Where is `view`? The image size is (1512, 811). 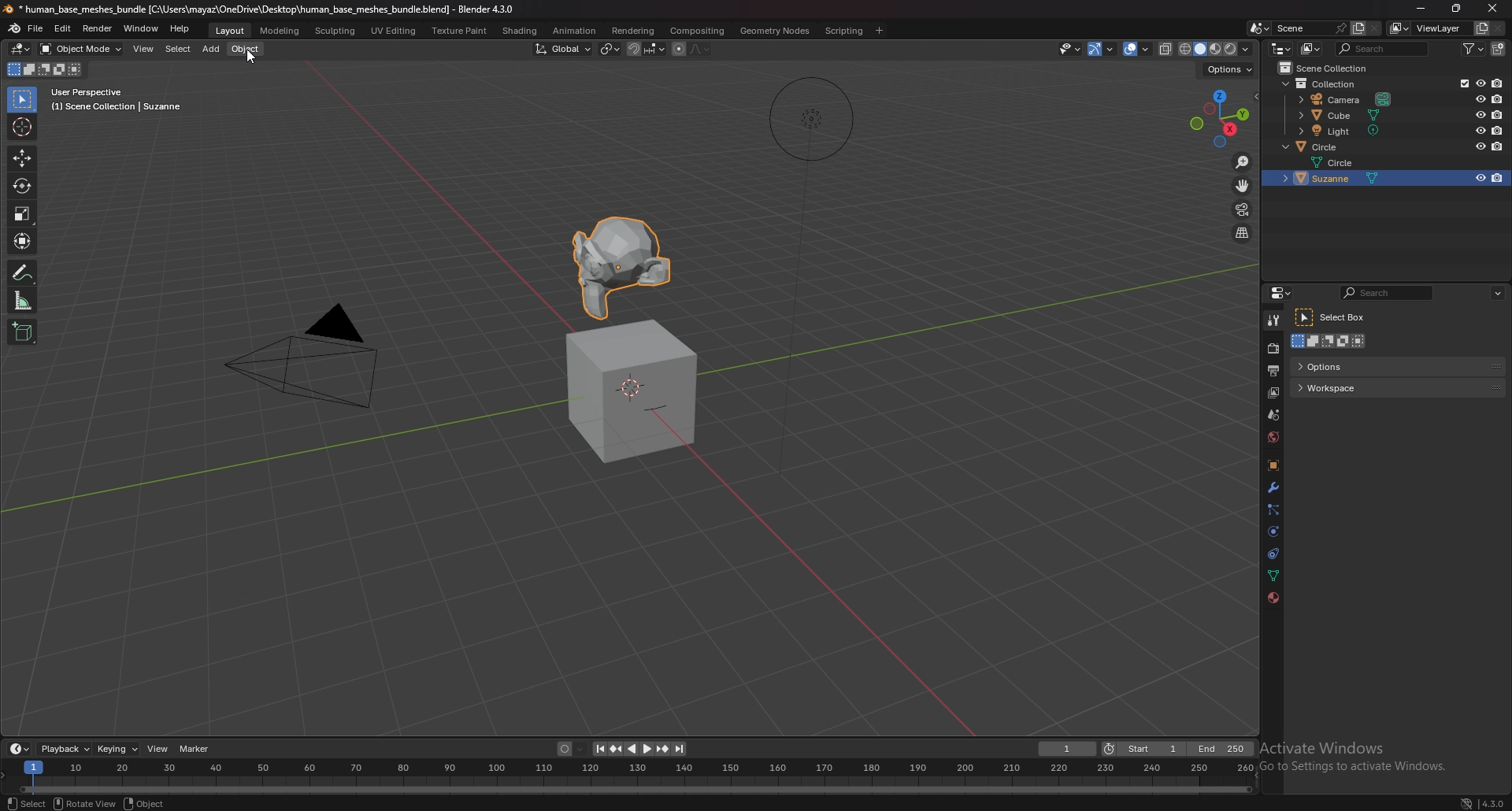 view is located at coordinates (146, 48).